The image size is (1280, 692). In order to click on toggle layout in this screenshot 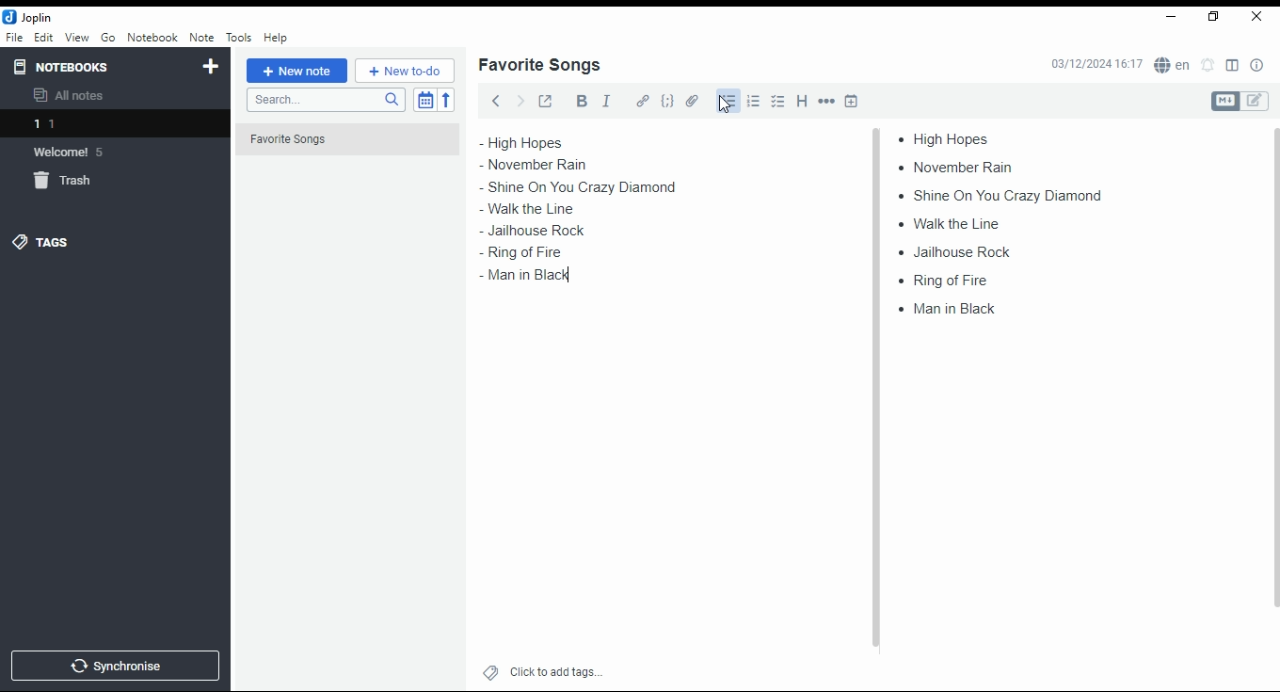, I will do `click(1233, 66)`.